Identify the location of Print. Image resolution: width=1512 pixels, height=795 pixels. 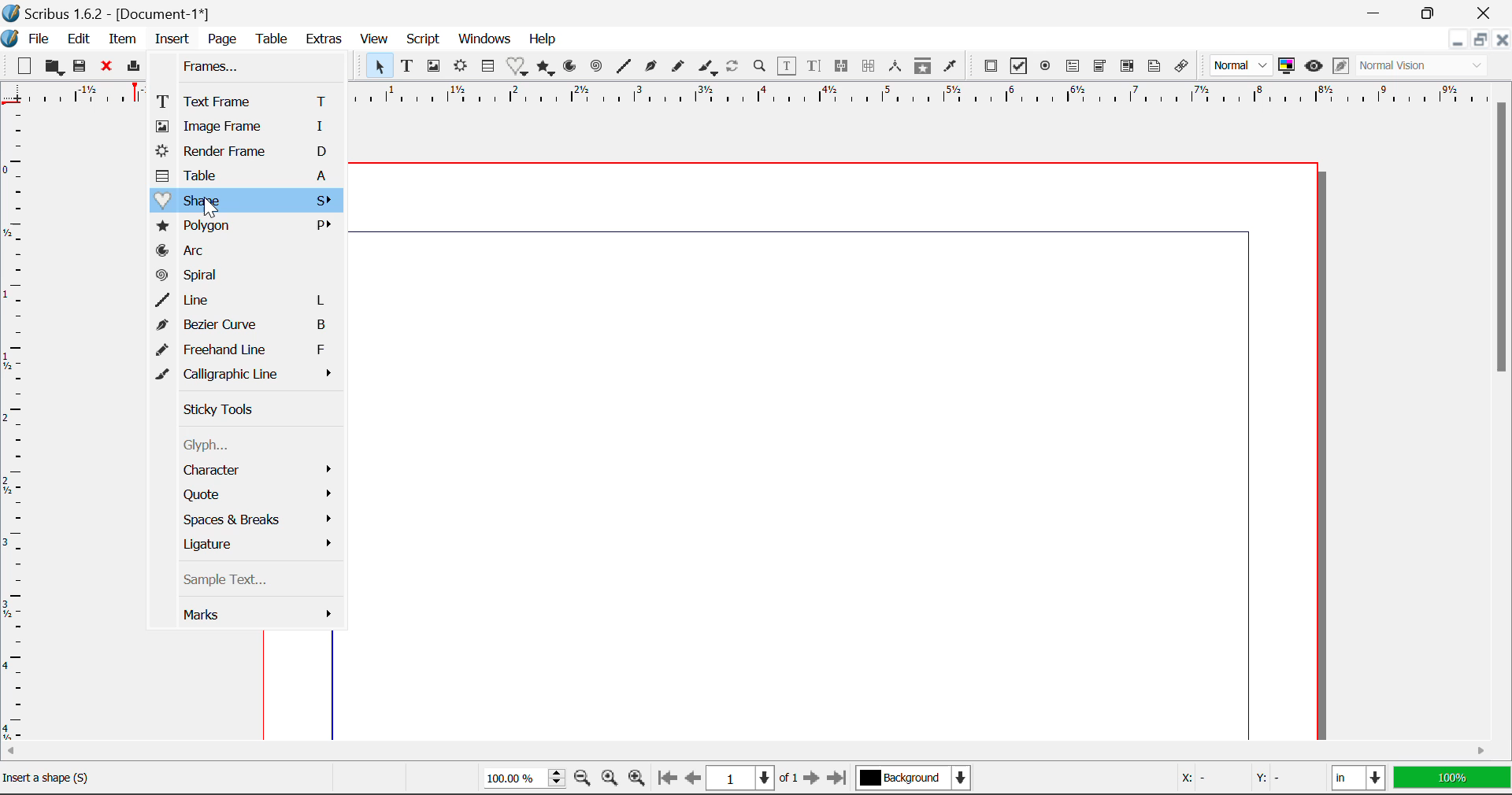
(136, 67).